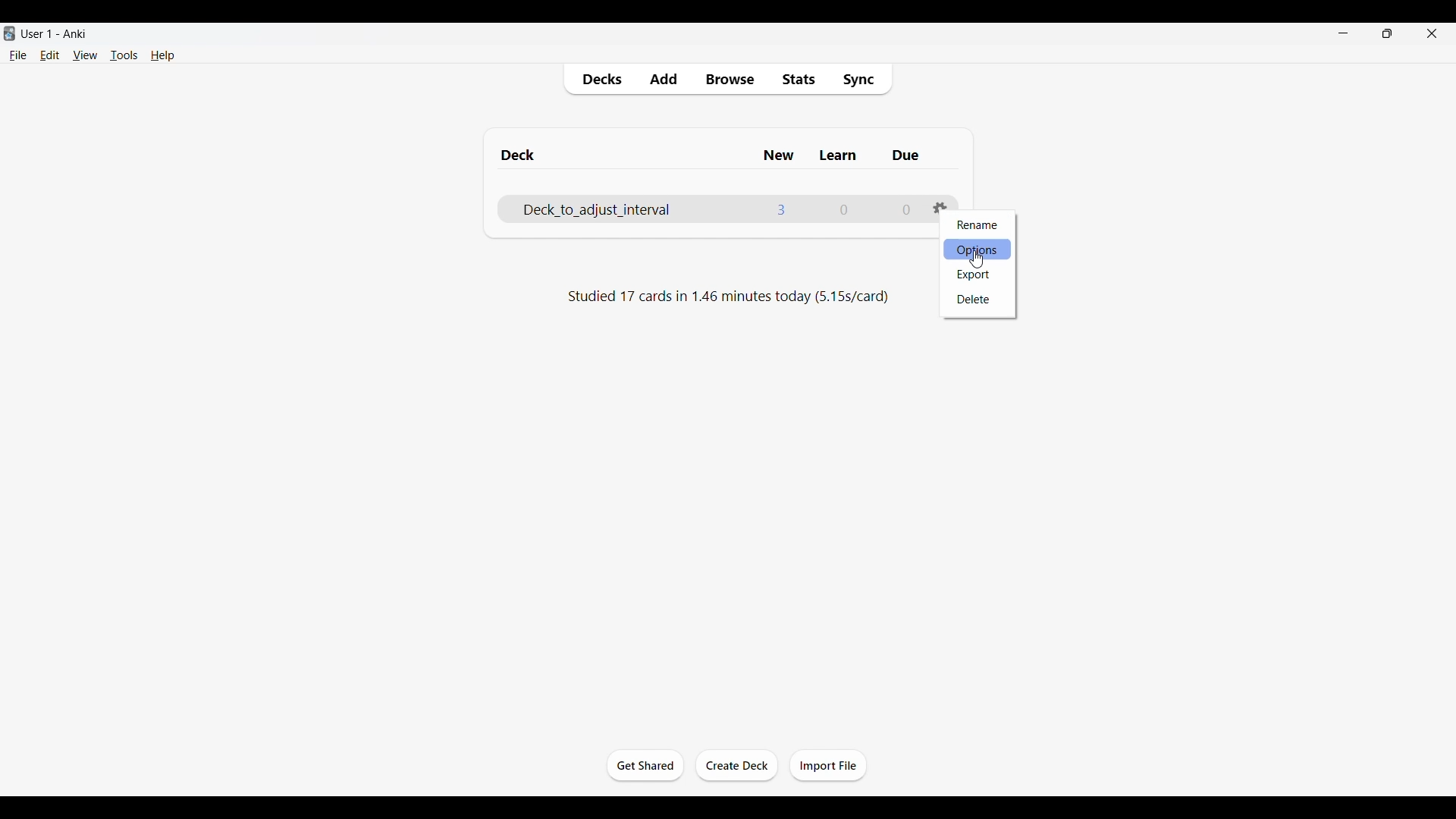  What do you see at coordinates (907, 209) in the screenshot?
I see `Number of due cards` at bounding box center [907, 209].